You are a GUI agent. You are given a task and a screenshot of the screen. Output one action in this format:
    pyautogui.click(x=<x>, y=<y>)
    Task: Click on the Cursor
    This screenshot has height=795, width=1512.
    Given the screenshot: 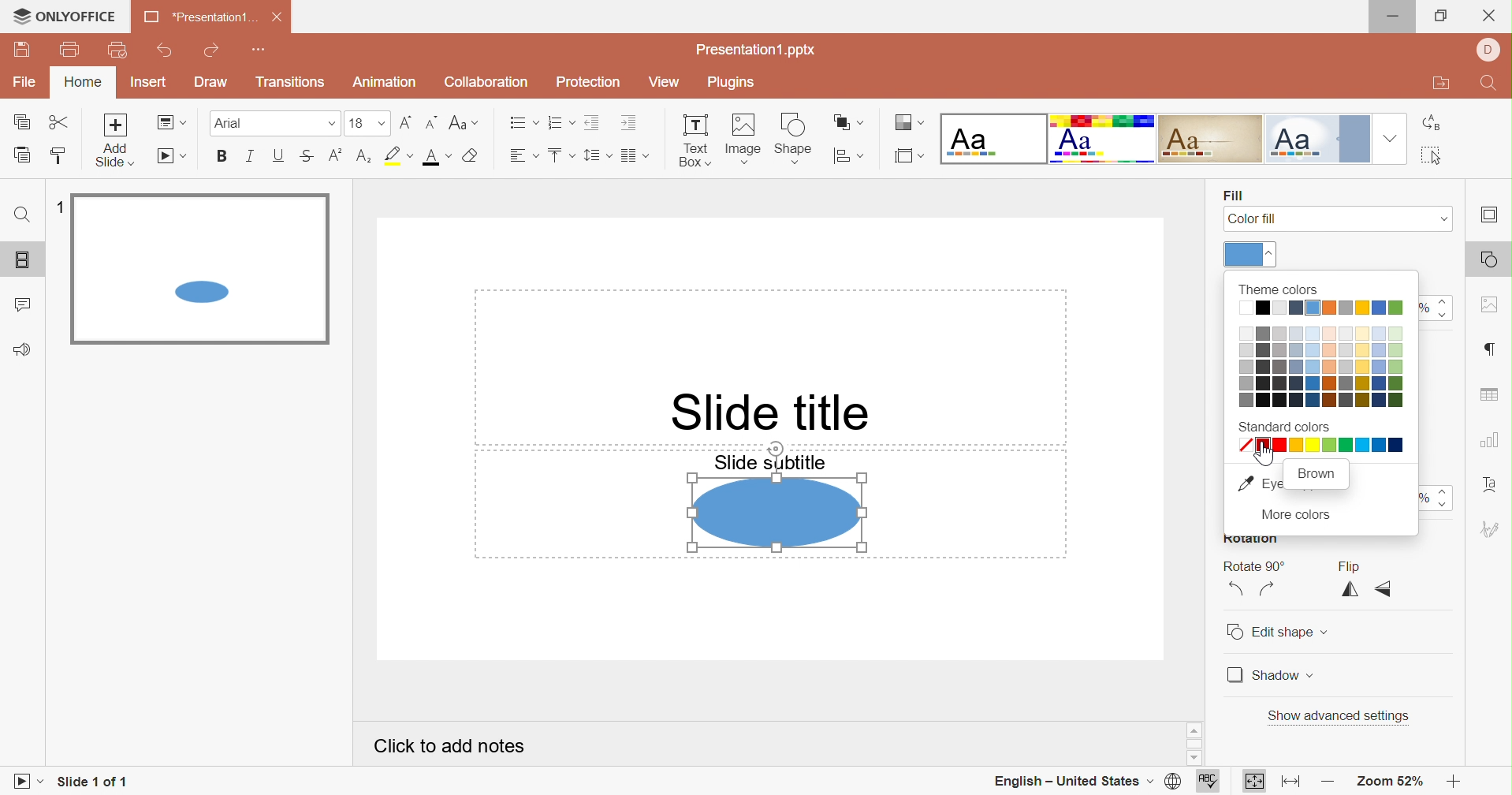 What is the action you would take?
    pyautogui.click(x=1268, y=450)
    